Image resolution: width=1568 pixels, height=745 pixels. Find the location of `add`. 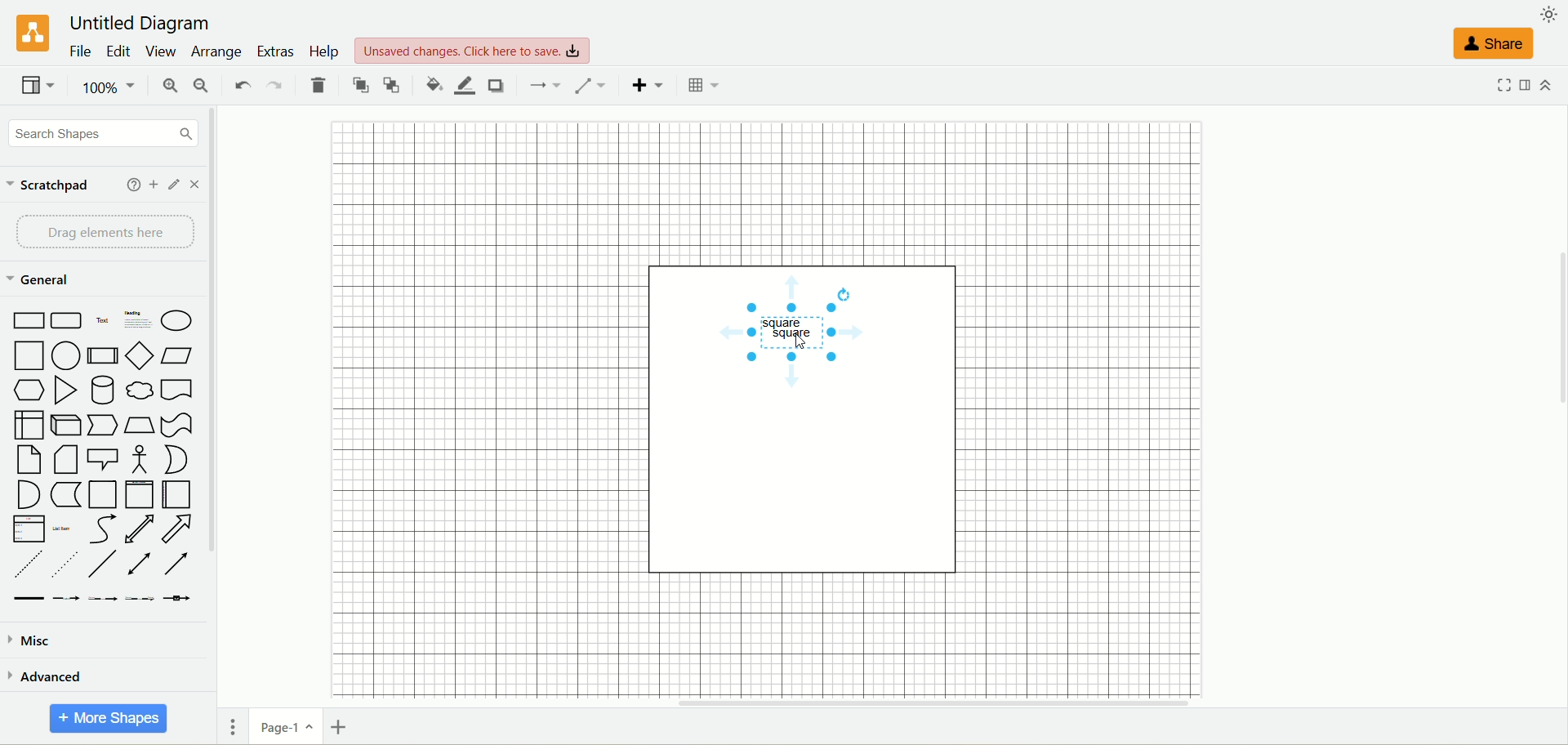

add is located at coordinates (154, 184).